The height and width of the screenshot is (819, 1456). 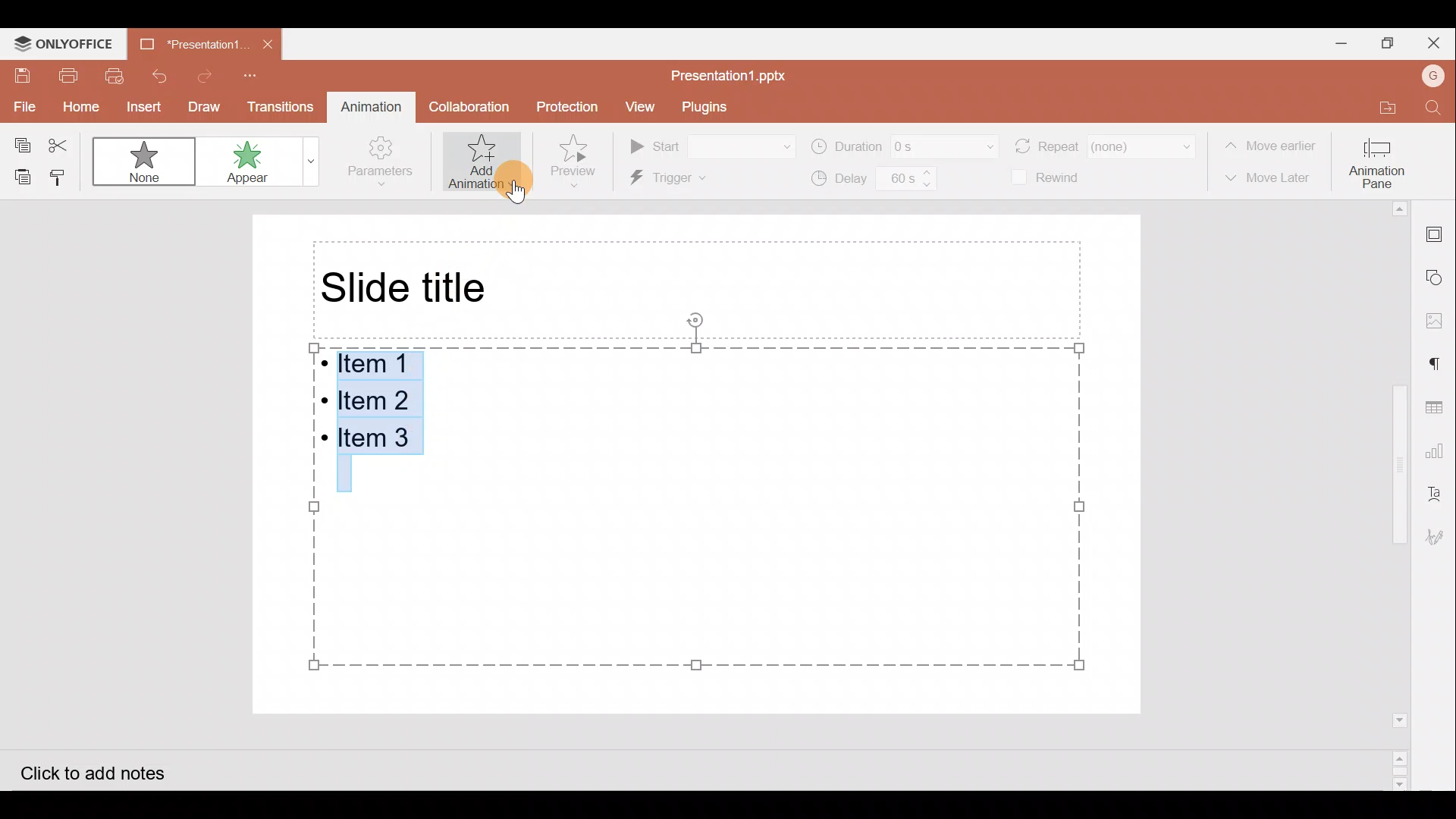 What do you see at coordinates (713, 144) in the screenshot?
I see `Start` at bounding box center [713, 144].